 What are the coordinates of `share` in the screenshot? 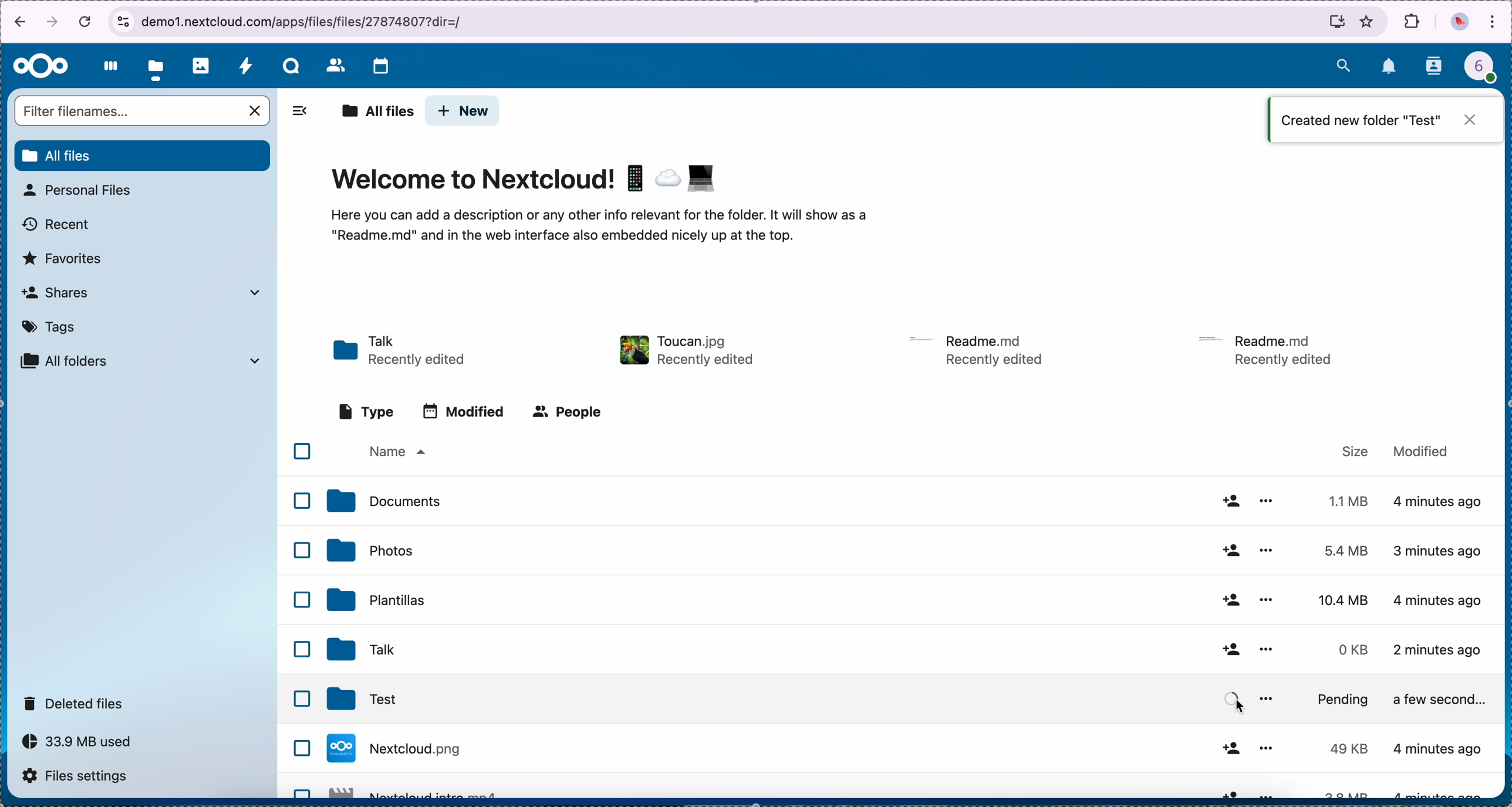 It's located at (1231, 601).